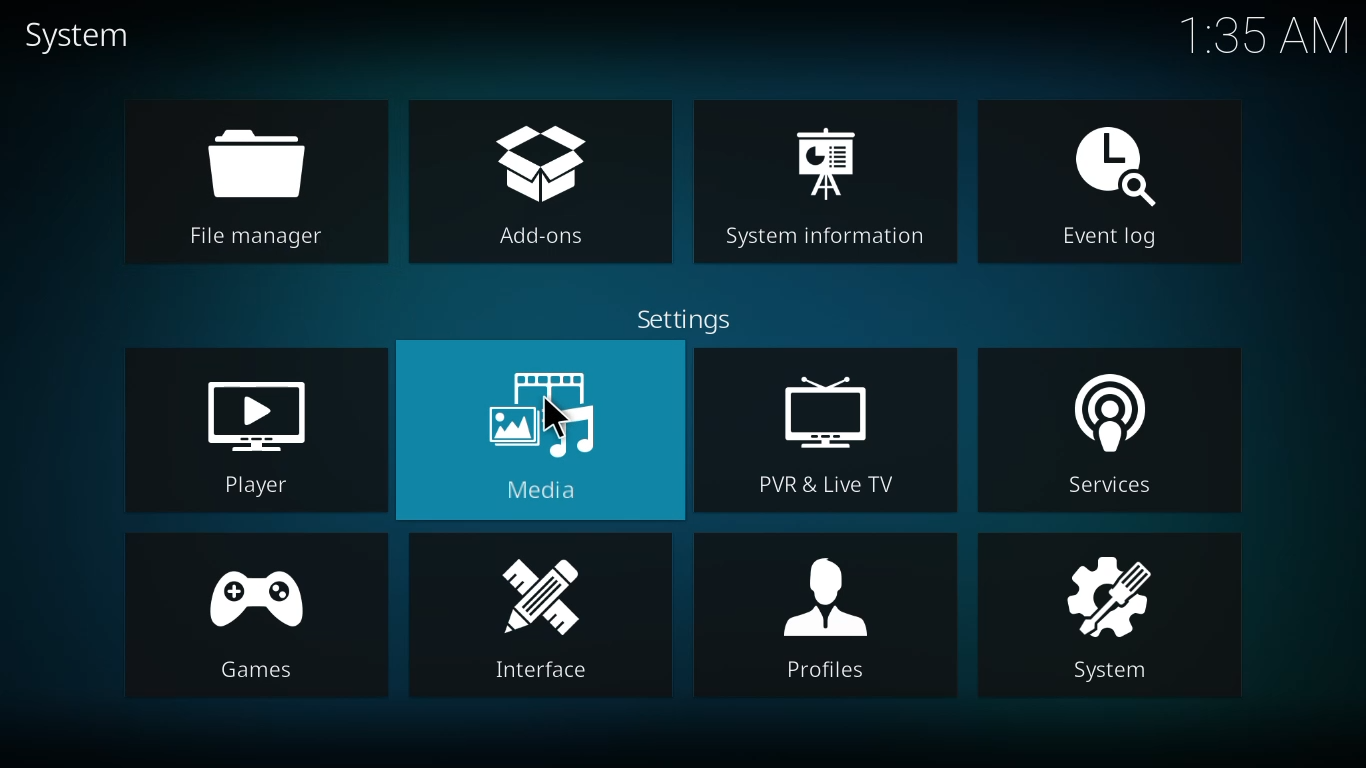 The image size is (1366, 768). Describe the element at coordinates (1264, 33) in the screenshot. I see `time` at that location.